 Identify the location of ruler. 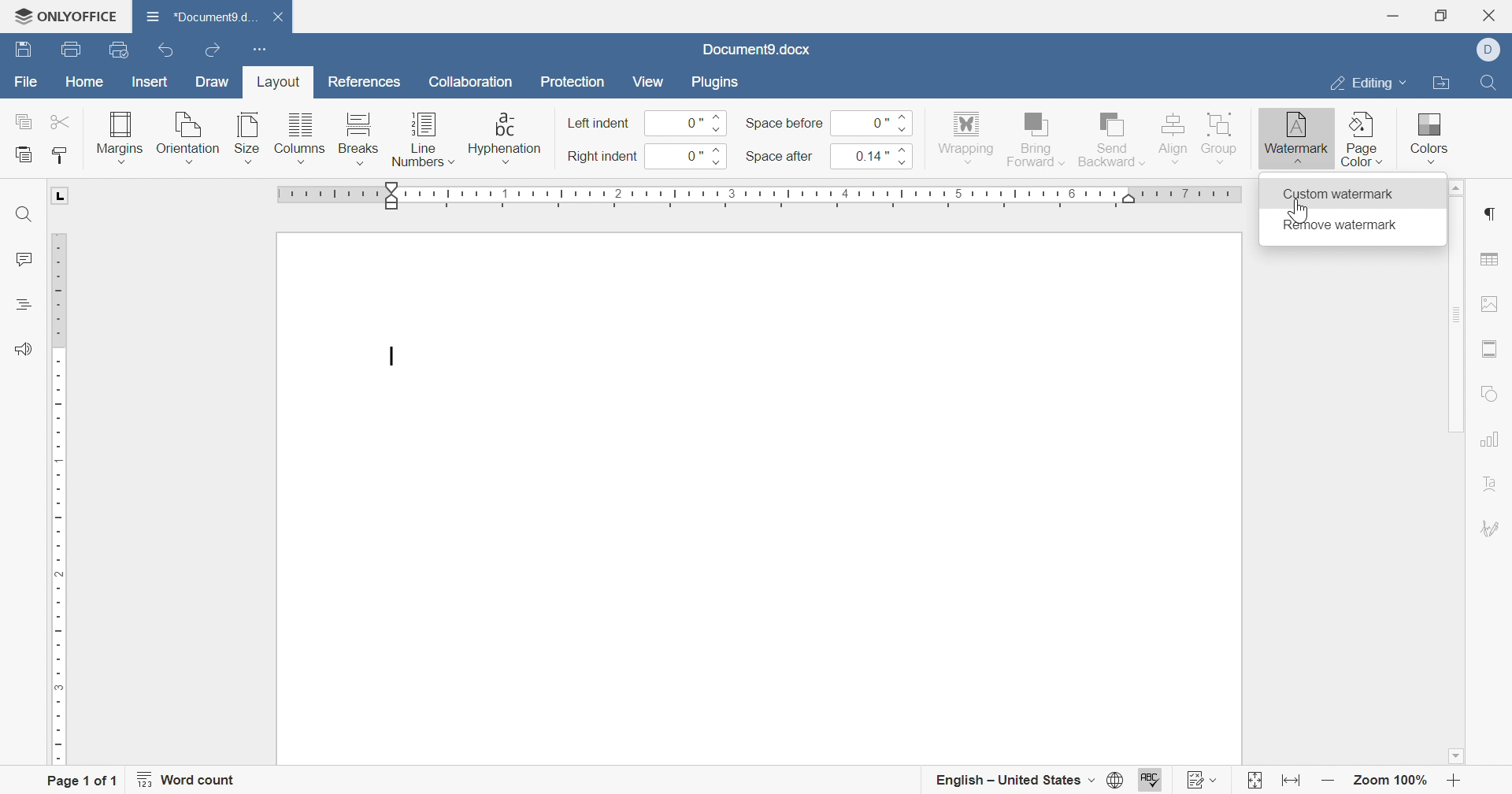
(59, 499).